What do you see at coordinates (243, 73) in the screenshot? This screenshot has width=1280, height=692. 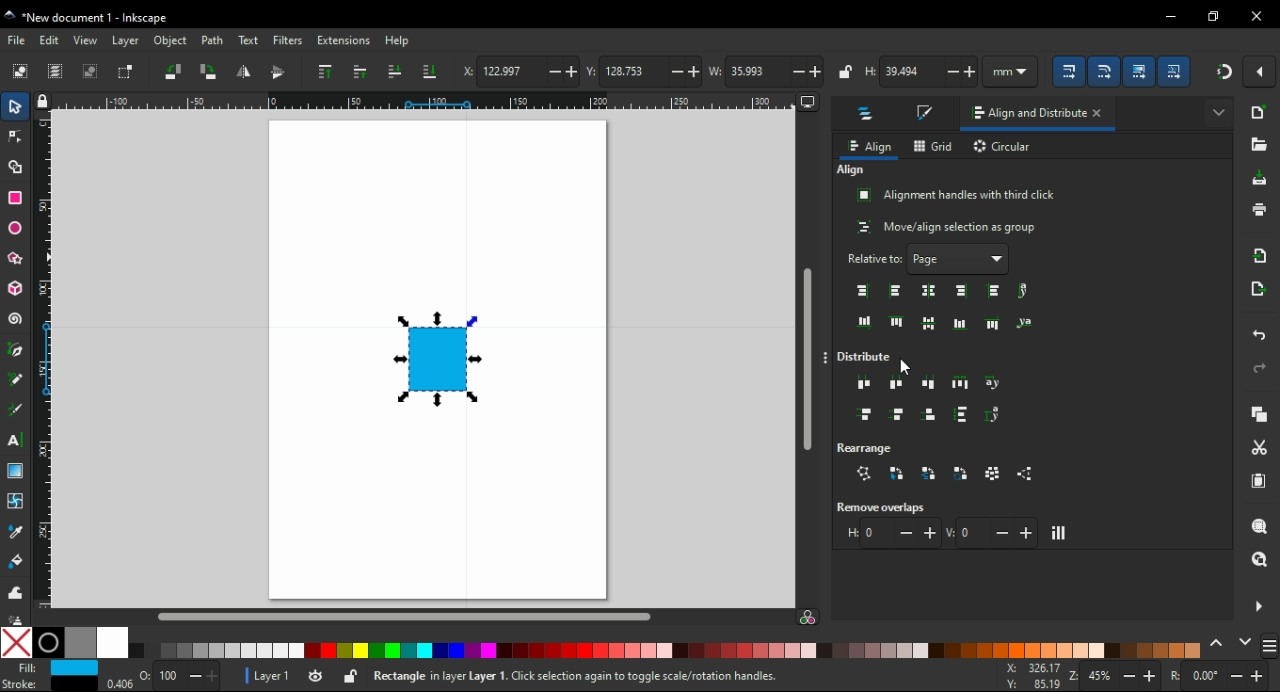 I see `object flip horizontal` at bounding box center [243, 73].